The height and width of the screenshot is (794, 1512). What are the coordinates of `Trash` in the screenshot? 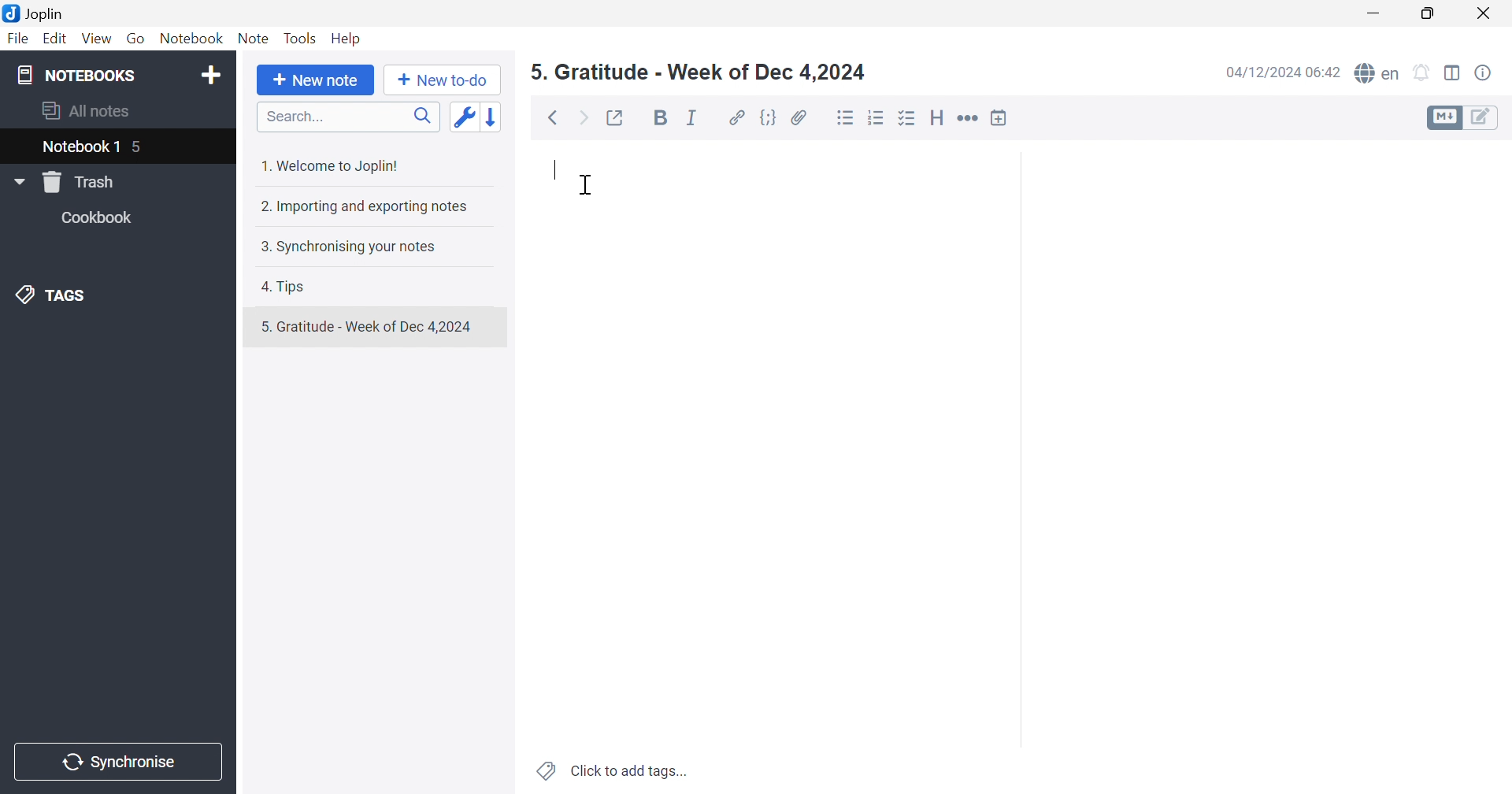 It's located at (79, 183).